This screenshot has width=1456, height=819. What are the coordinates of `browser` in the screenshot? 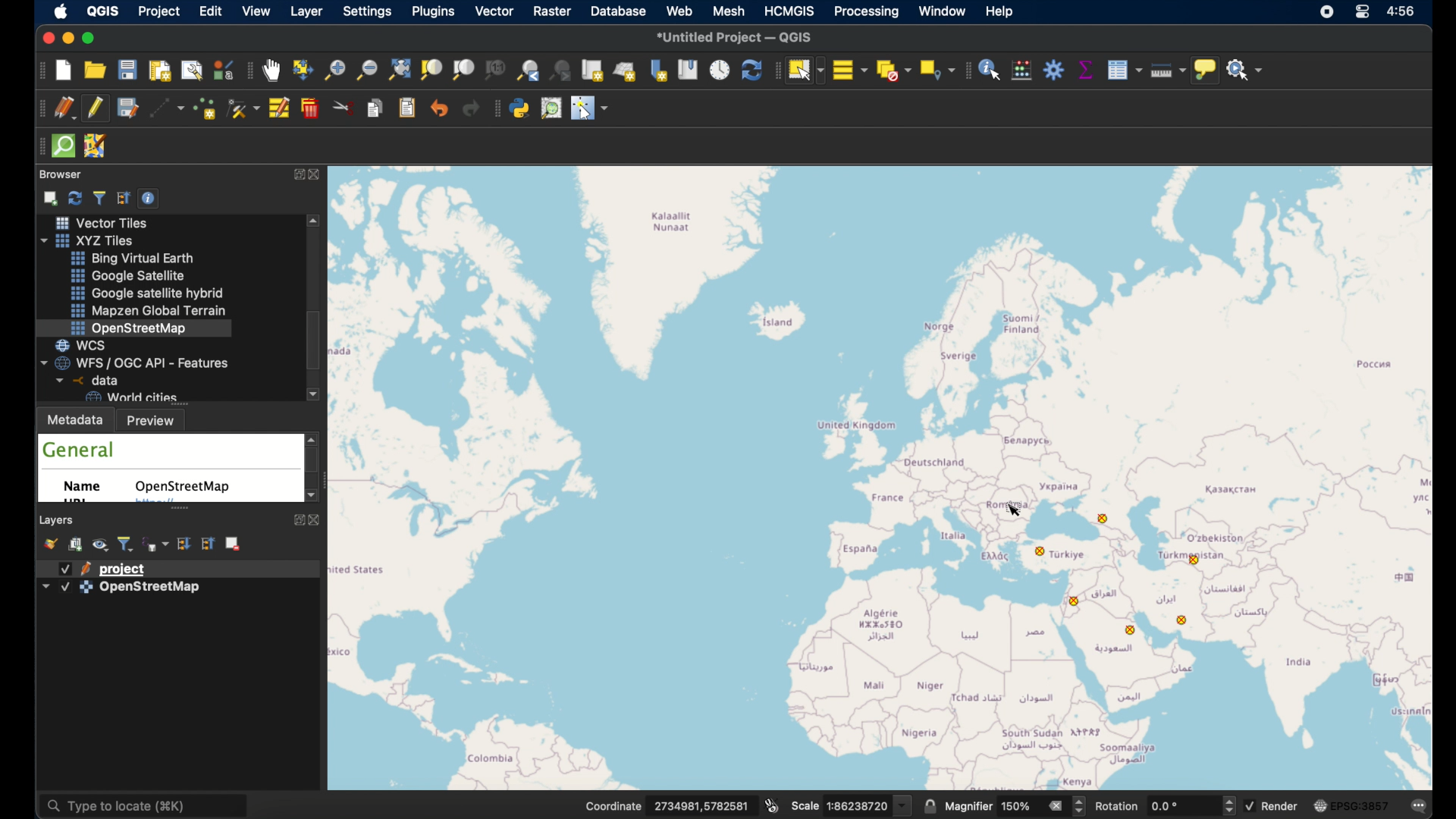 It's located at (61, 174).